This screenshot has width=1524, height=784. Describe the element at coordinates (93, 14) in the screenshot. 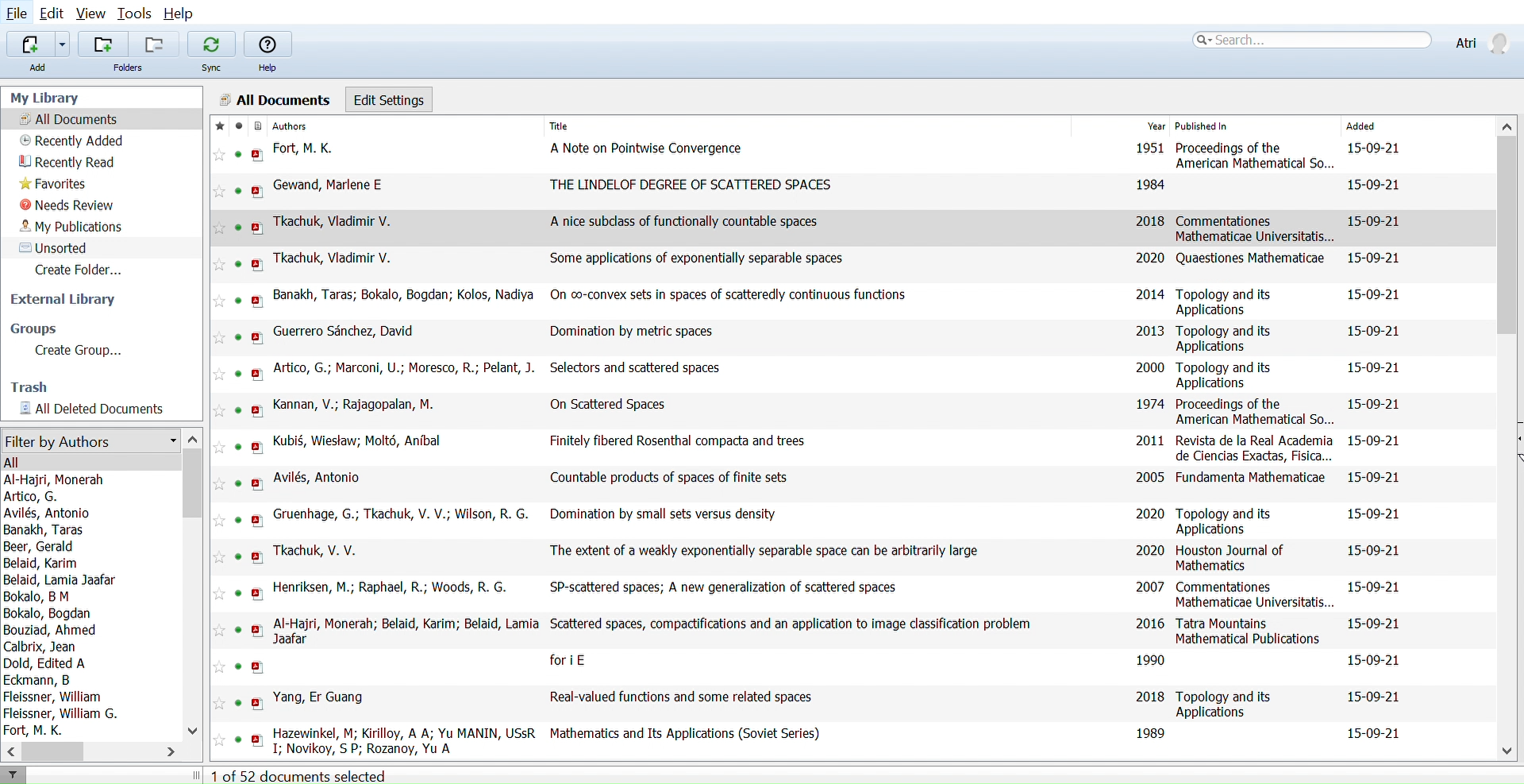

I see `View` at that location.